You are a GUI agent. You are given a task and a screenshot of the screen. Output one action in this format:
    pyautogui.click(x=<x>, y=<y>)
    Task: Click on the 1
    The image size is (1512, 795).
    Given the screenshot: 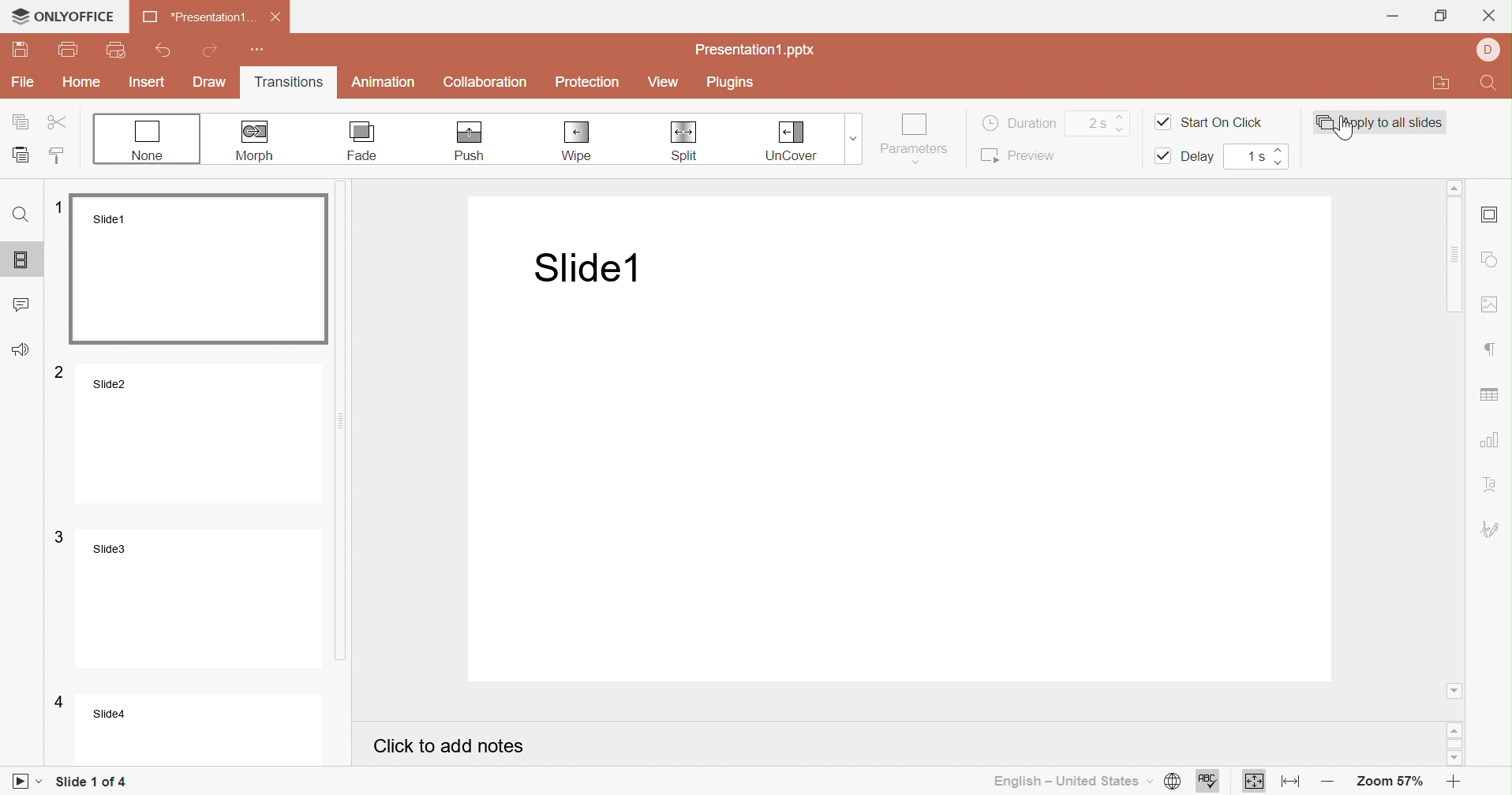 What is the action you would take?
    pyautogui.click(x=60, y=204)
    